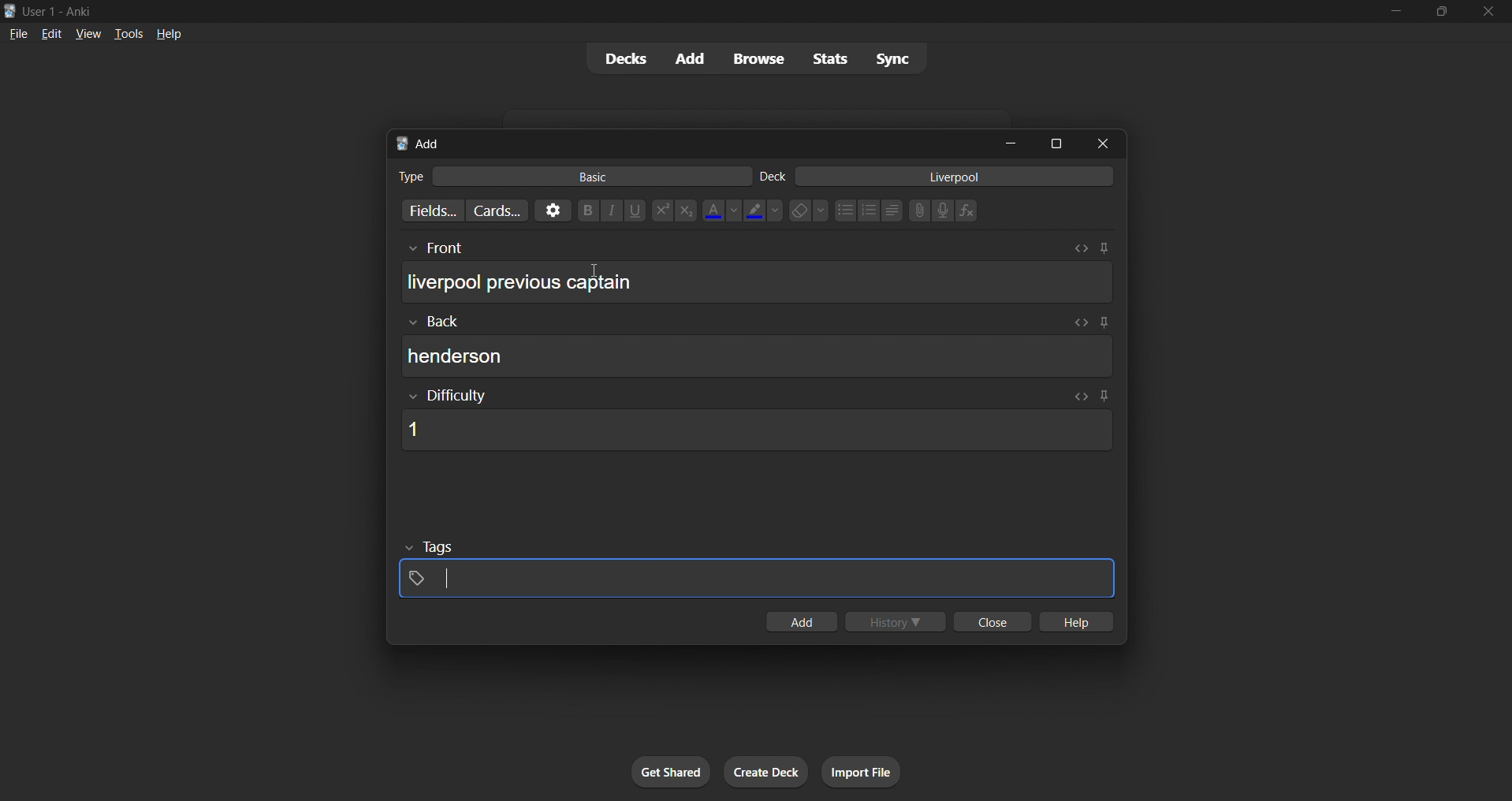 This screenshot has width=1512, height=801. Describe the element at coordinates (972, 211) in the screenshot. I see `function` at that location.